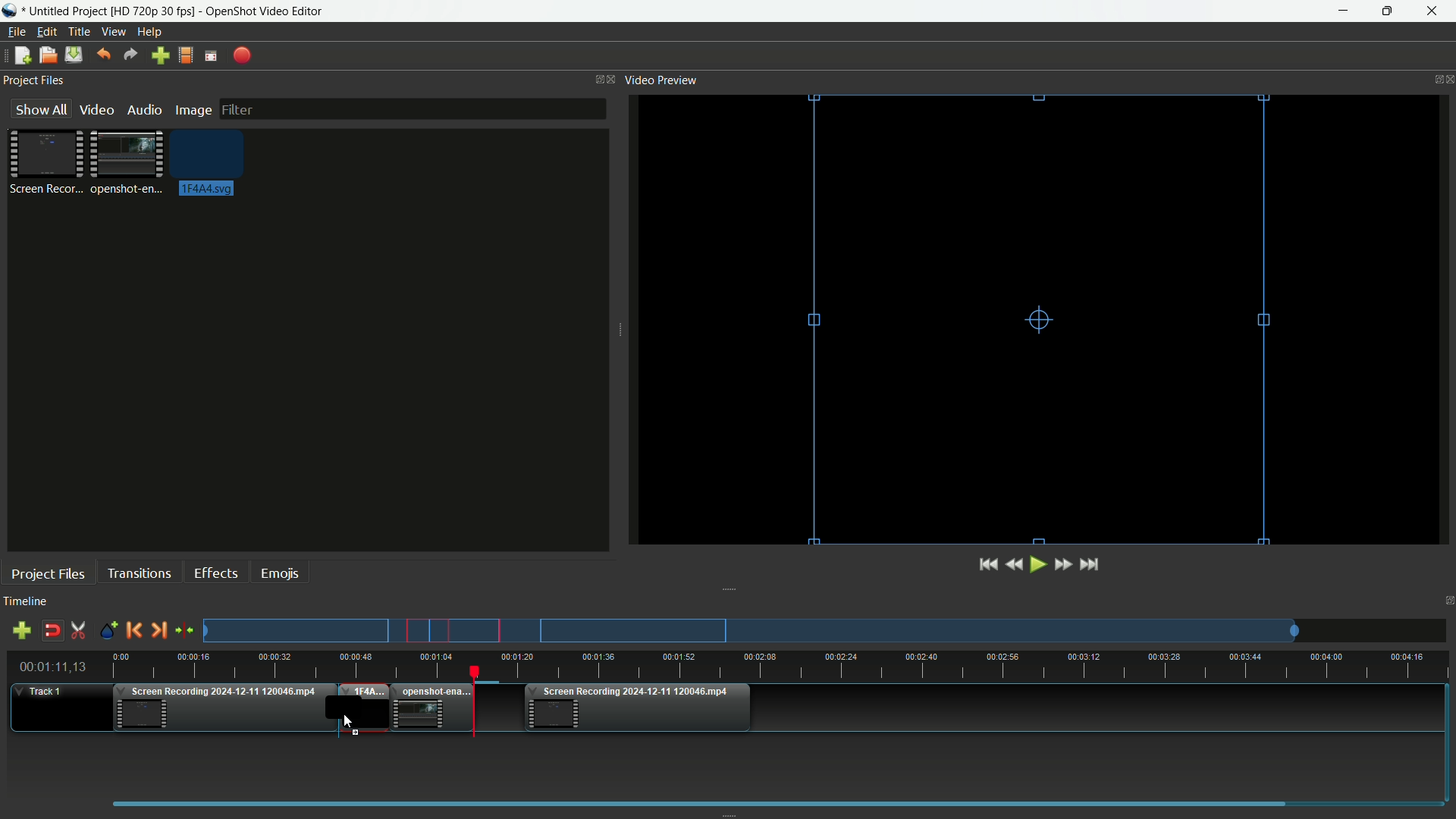 The height and width of the screenshot is (819, 1456). Describe the element at coordinates (42, 692) in the screenshot. I see `Track one timeline` at that location.